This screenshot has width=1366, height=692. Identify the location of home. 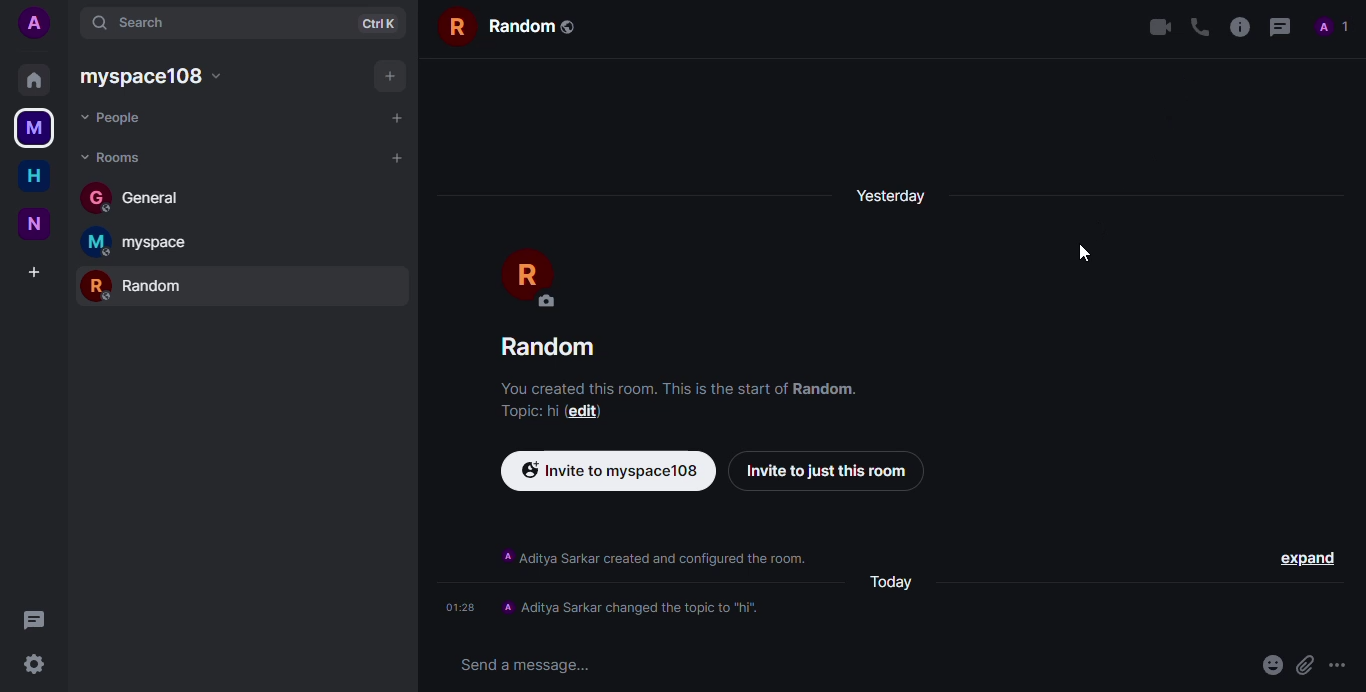
(31, 78).